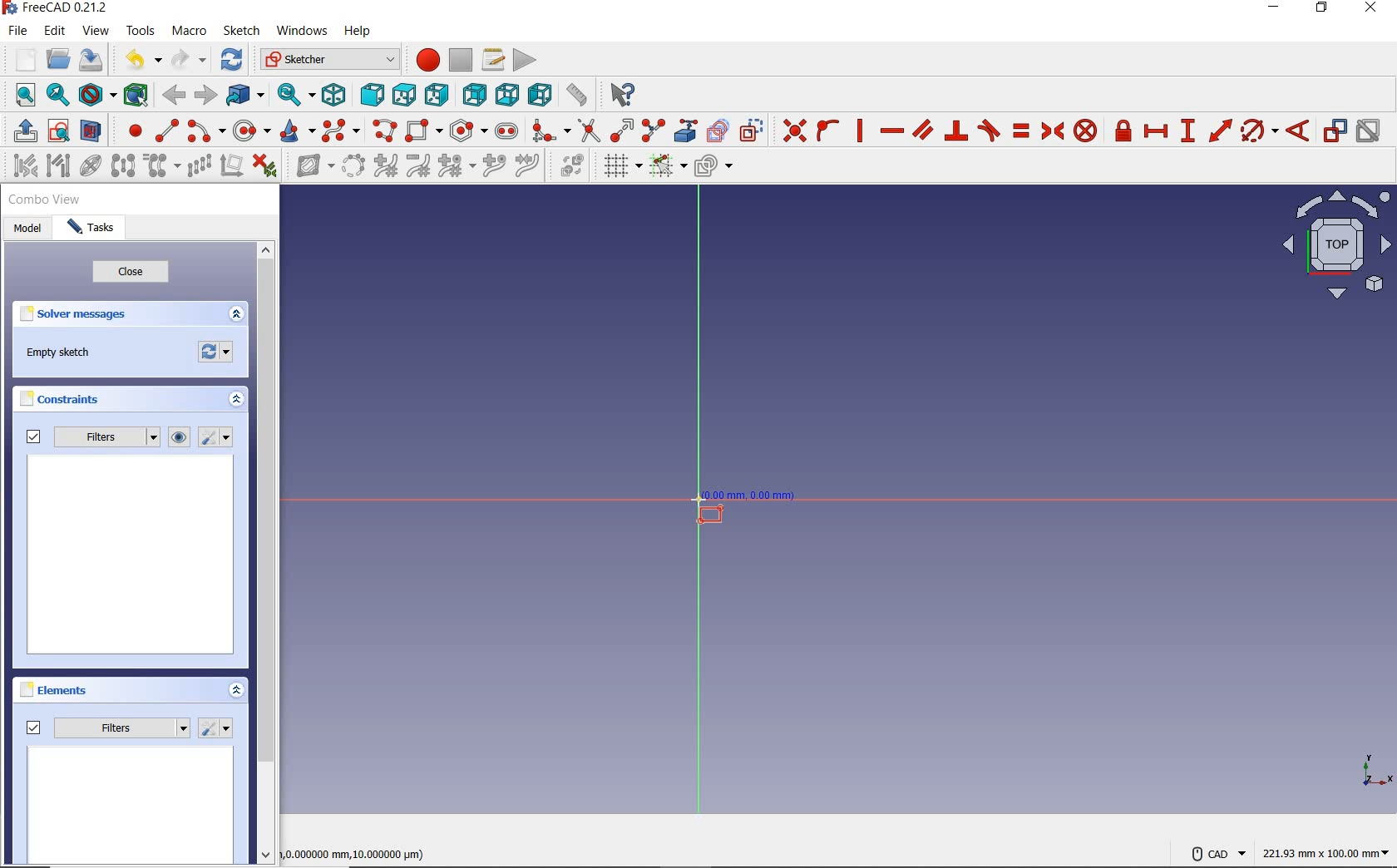 The image size is (1397, 868). I want to click on constrain block, so click(1085, 131).